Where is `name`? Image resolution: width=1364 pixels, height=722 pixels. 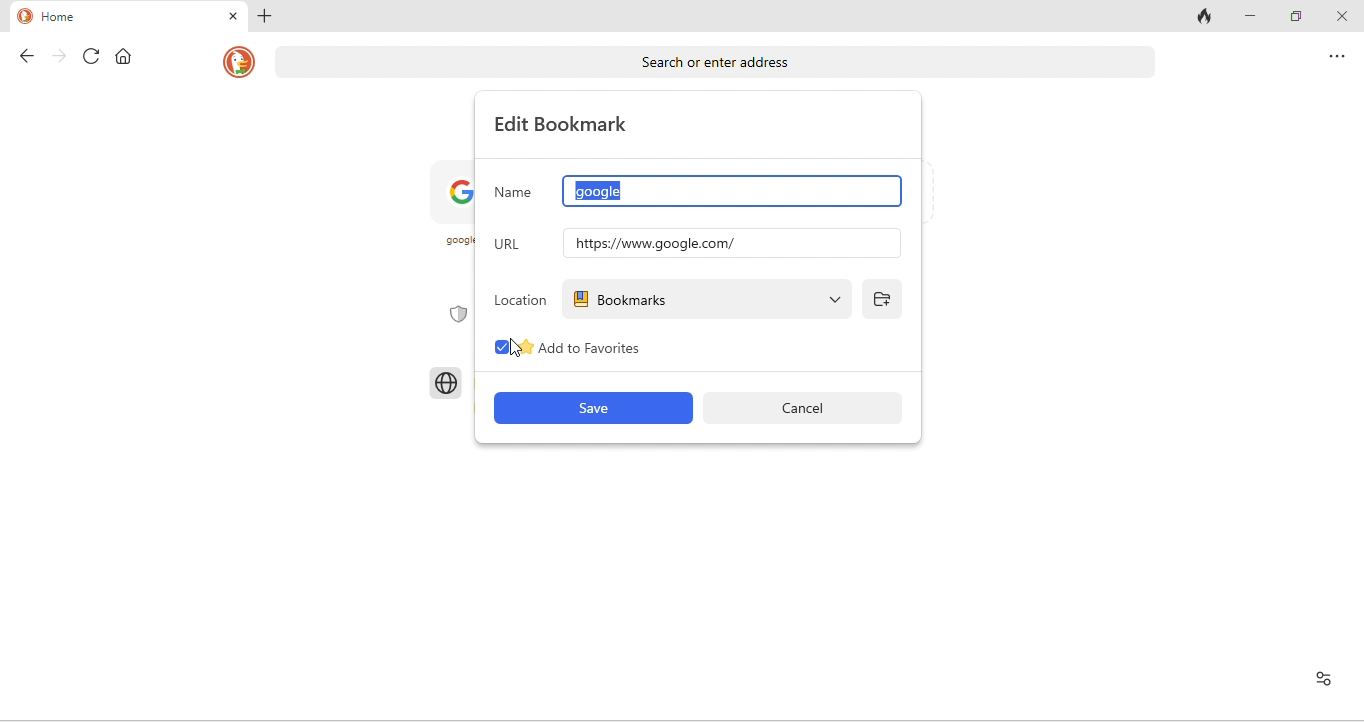 name is located at coordinates (515, 190).